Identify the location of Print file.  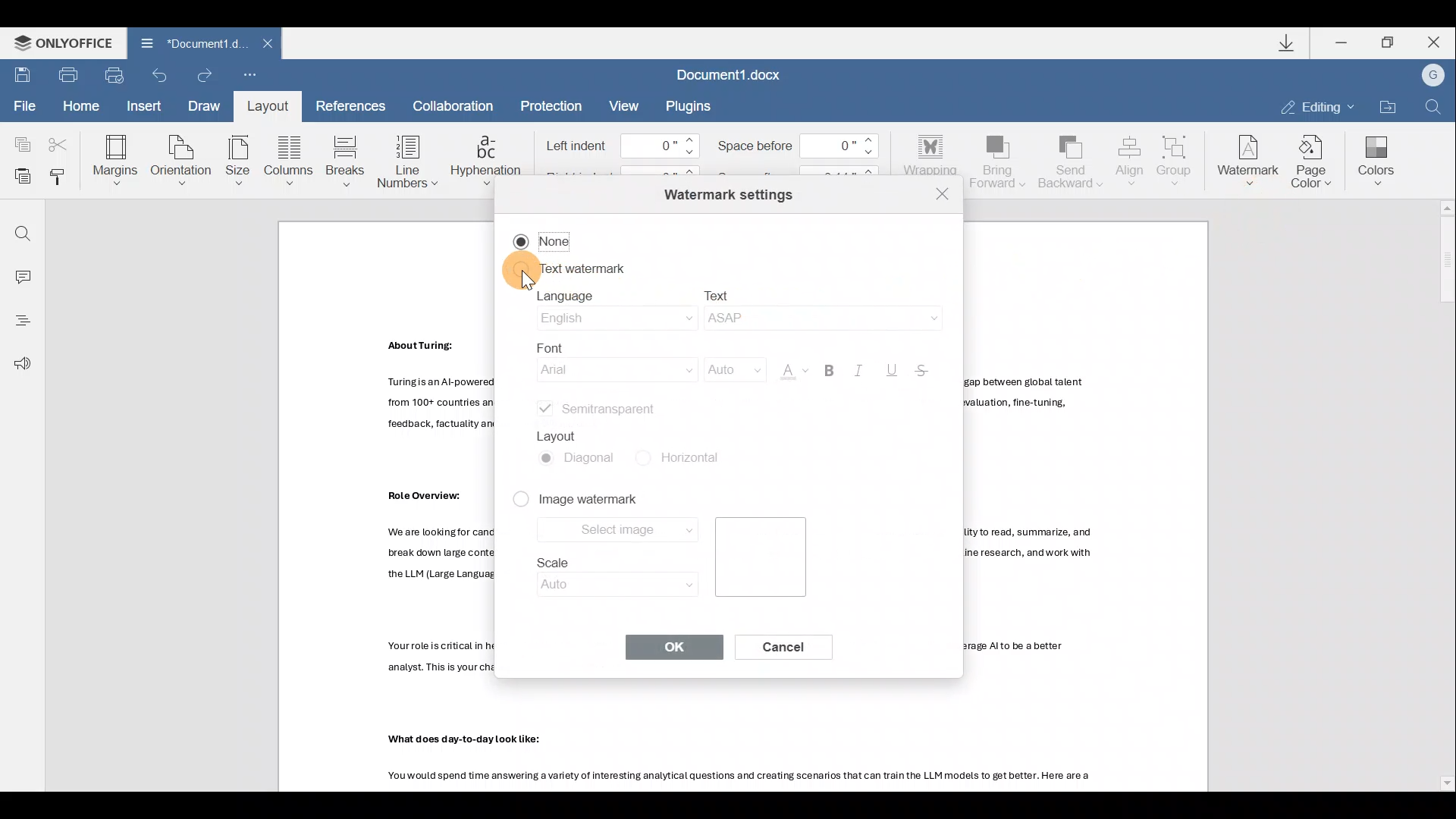
(64, 76).